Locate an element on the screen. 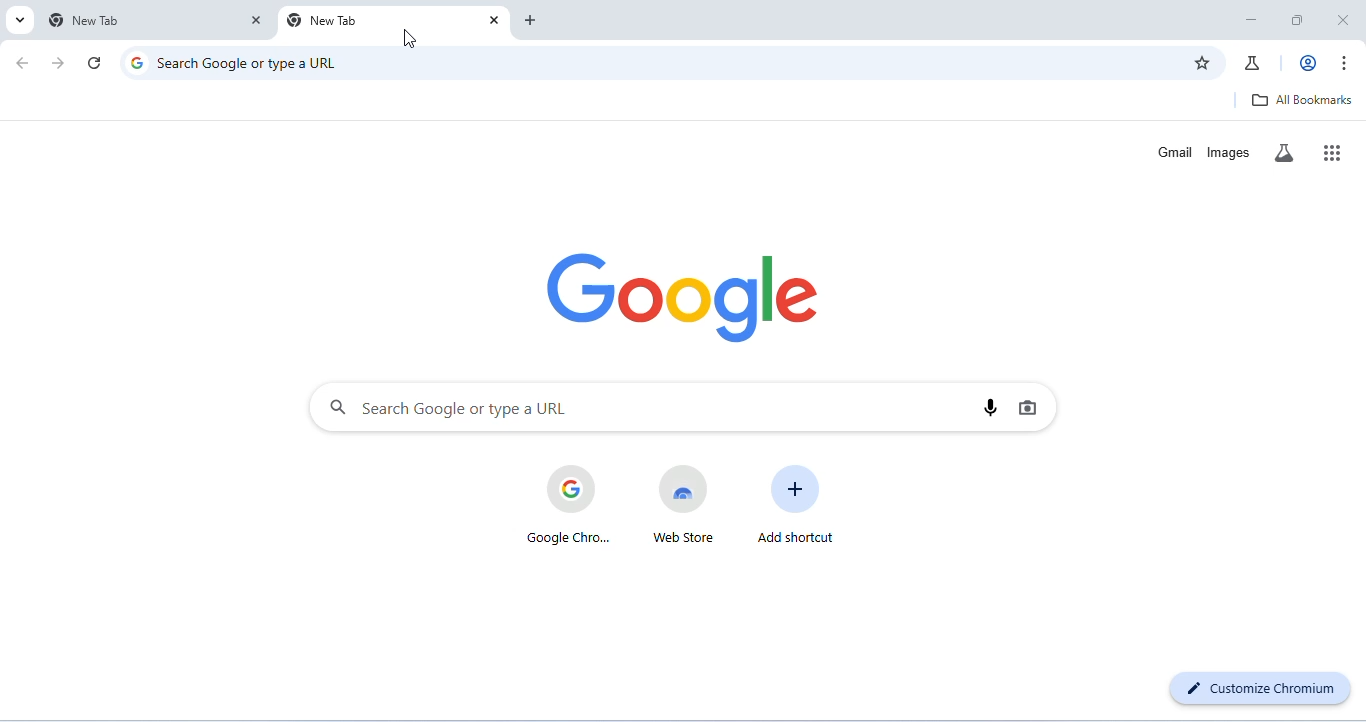 This screenshot has height=722, width=1366. image search is located at coordinates (1029, 407).